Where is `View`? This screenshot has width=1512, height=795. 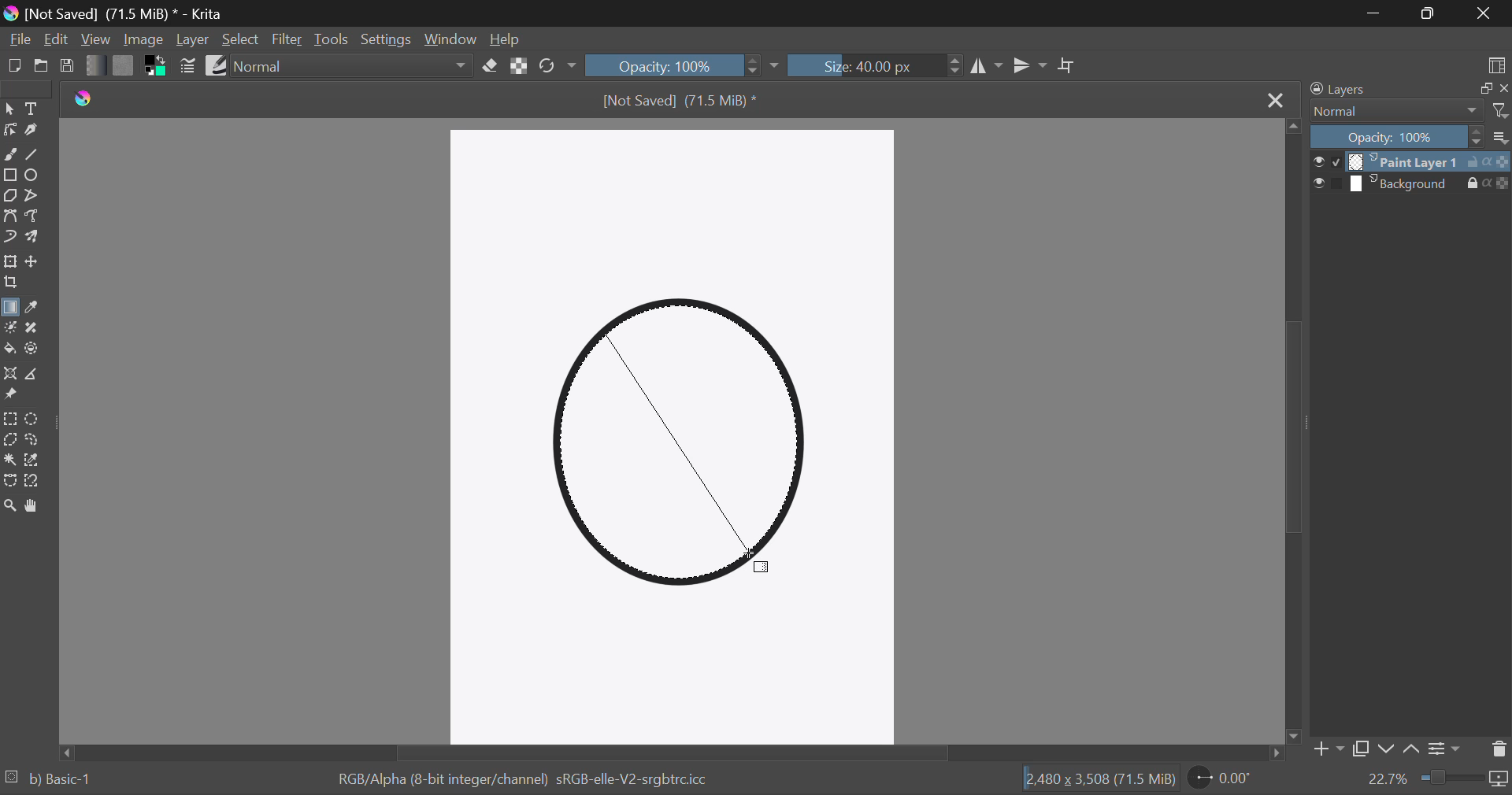
View is located at coordinates (95, 40).